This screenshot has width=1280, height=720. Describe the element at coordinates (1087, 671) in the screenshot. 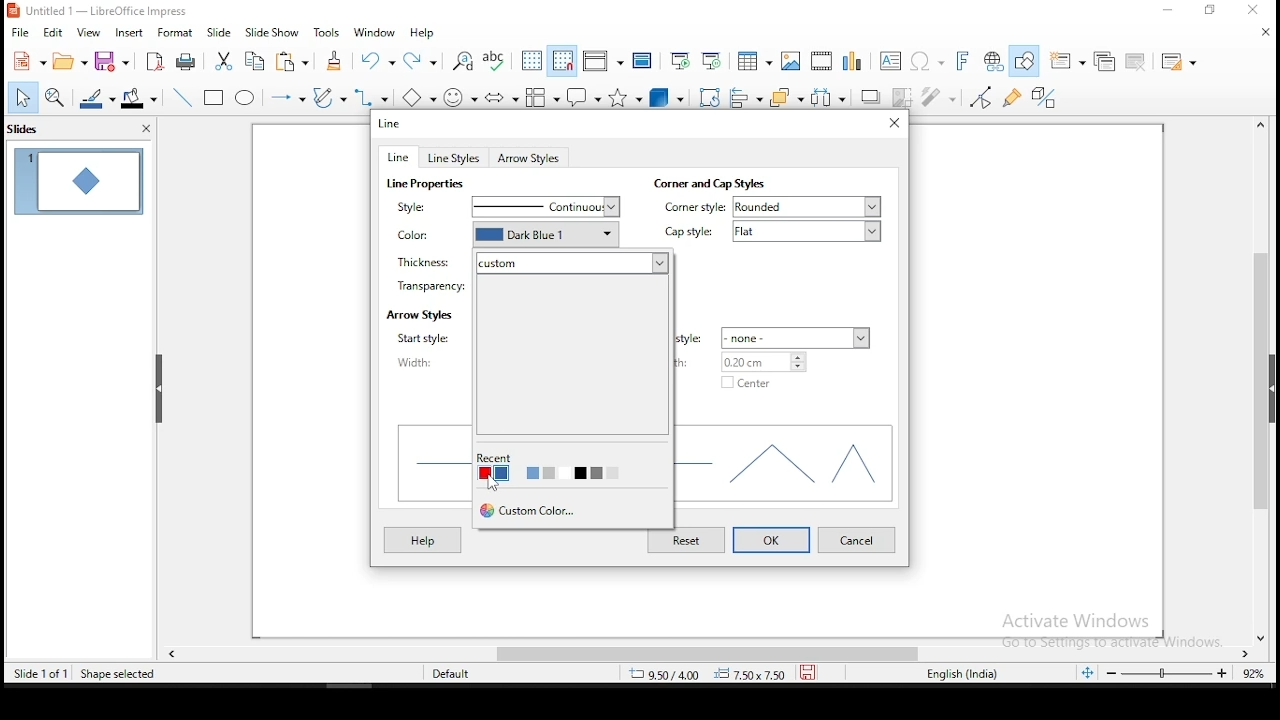

I see `fit slide to current window` at that location.